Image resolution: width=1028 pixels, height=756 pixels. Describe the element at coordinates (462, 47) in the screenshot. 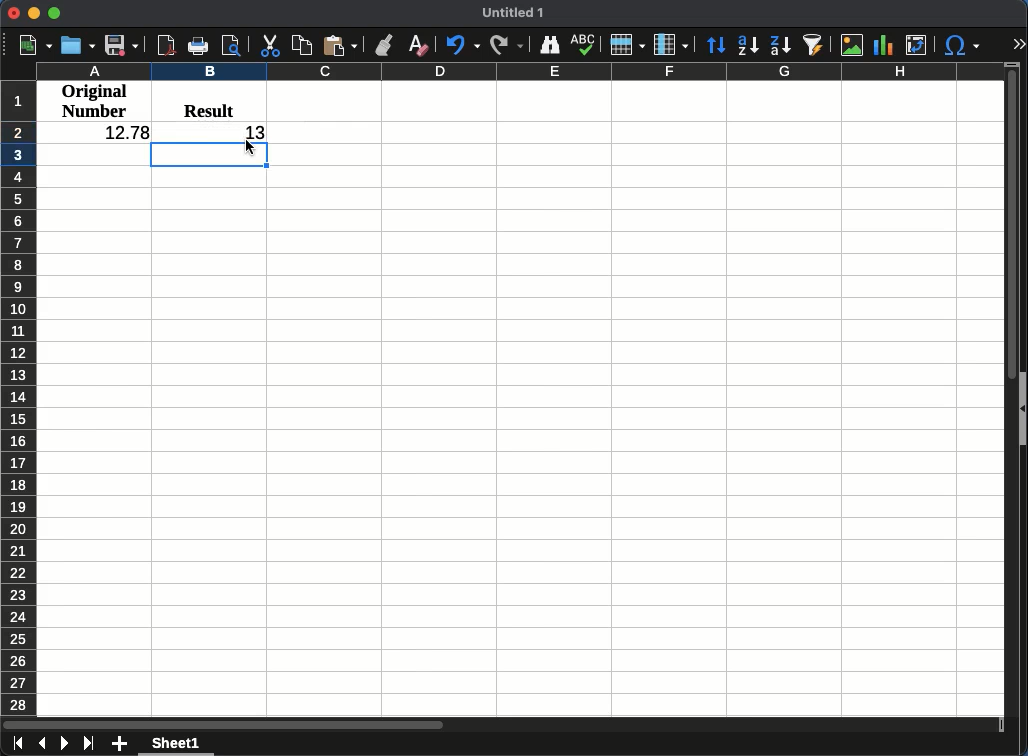

I see `Undo` at that location.